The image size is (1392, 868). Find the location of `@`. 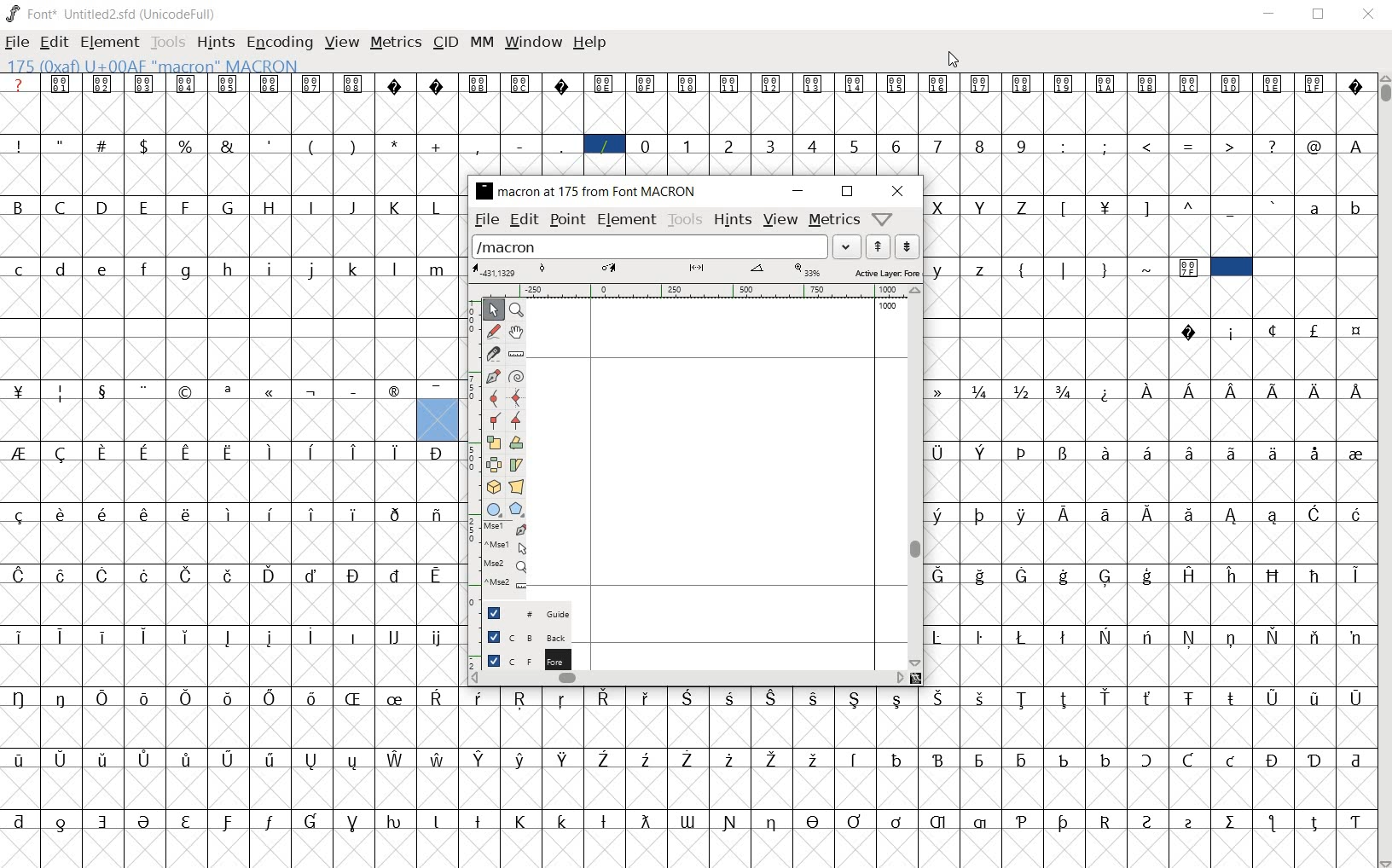

@ is located at coordinates (1317, 147).